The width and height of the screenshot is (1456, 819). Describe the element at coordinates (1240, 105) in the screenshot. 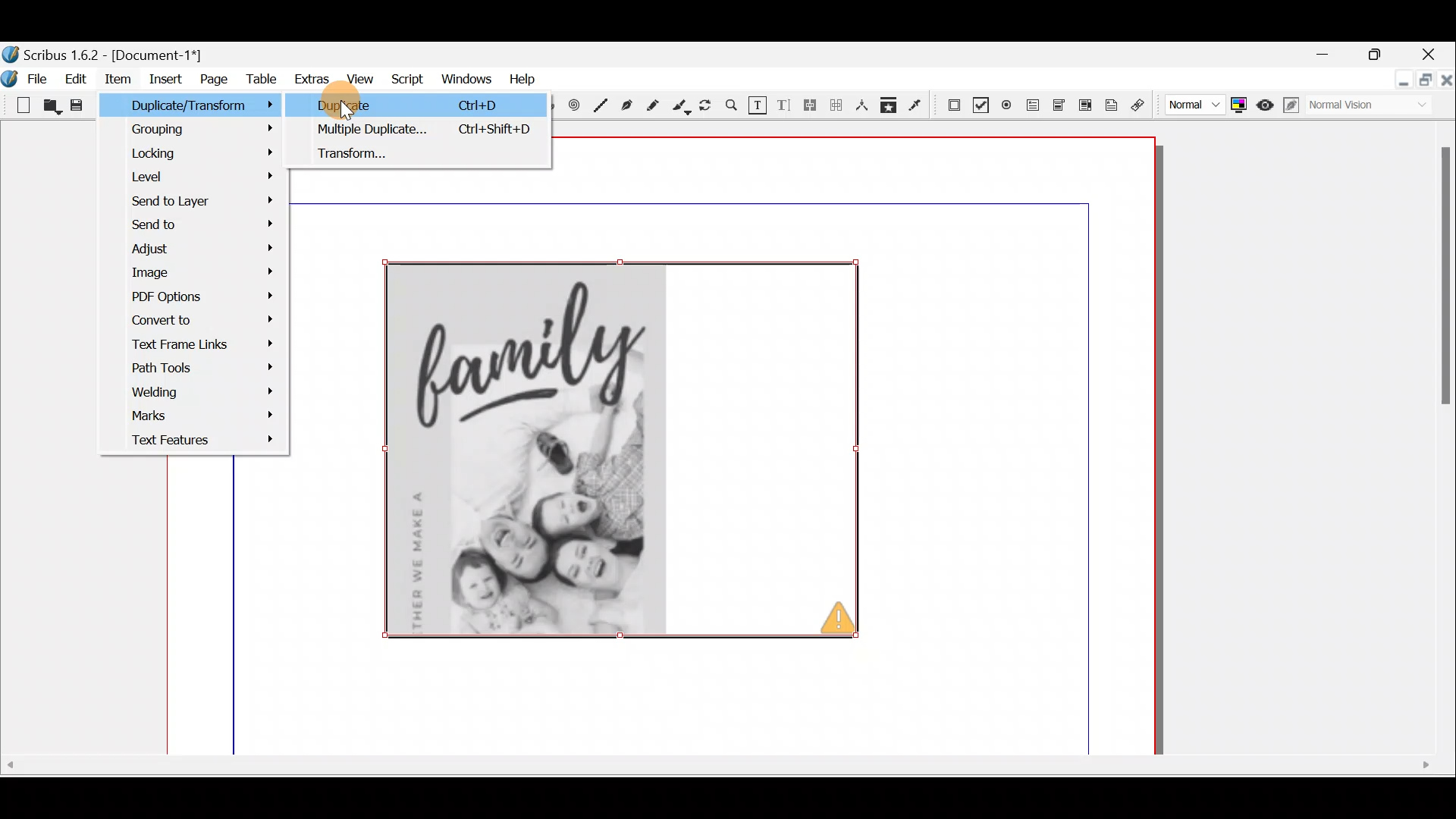

I see `Toggle colour management system` at that location.